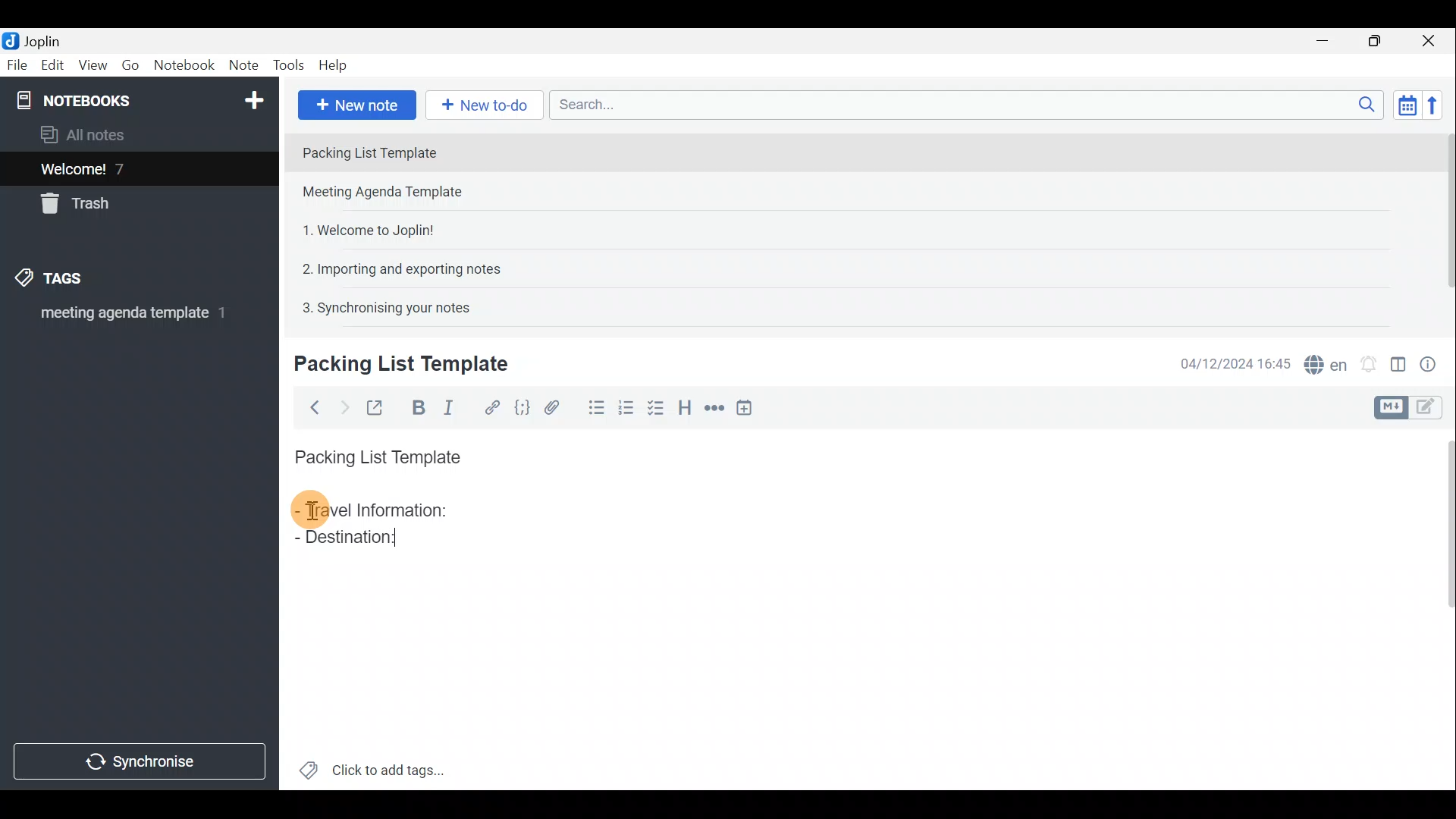 The height and width of the screenshot is (819, 1456). Describe the element at coordinates (1235, 362) in the screenshot. I see `Date & time` at that location.